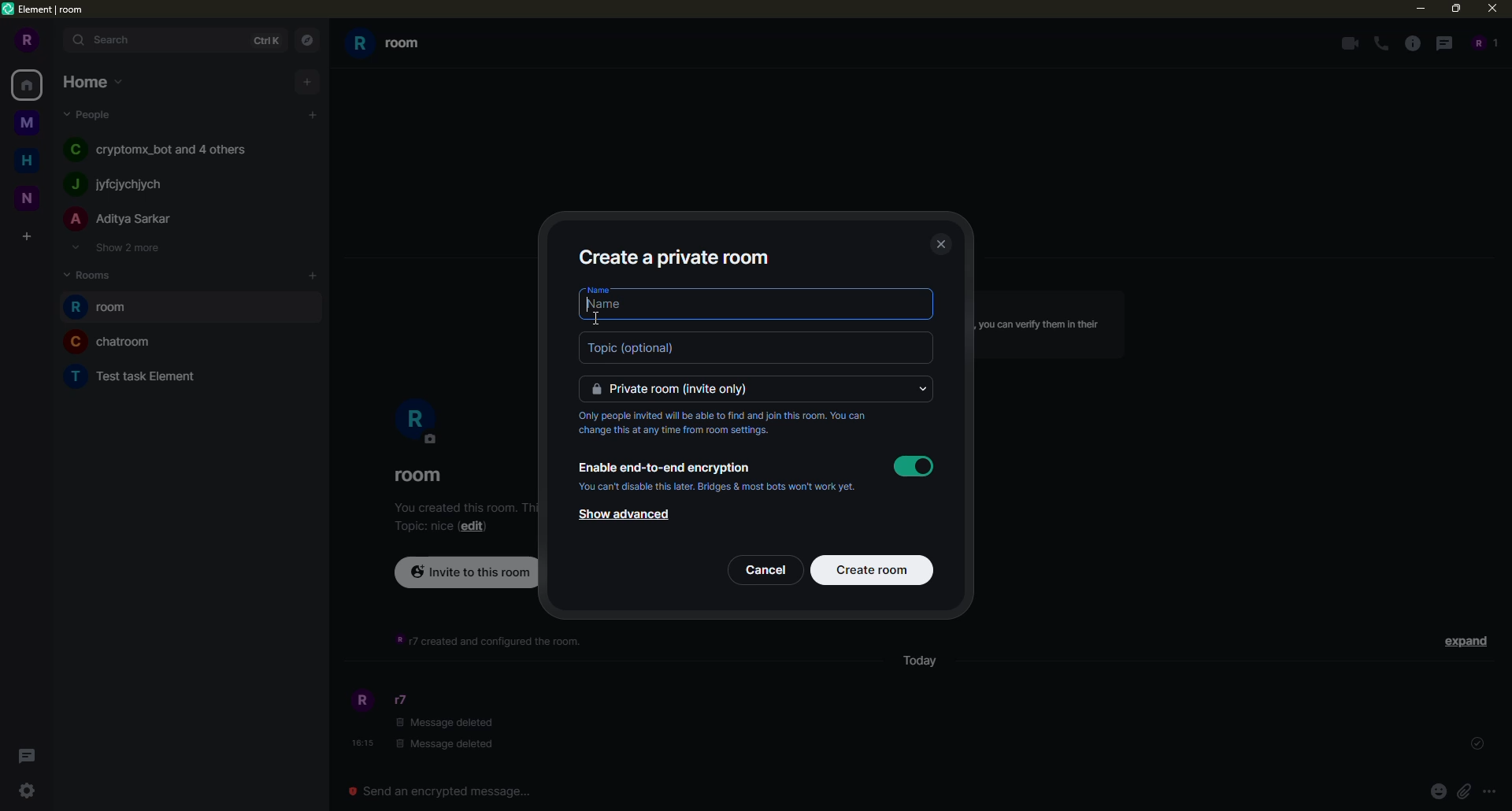 This screenshot has height=811, width=1512. What do you see at coordinates (473, 525) in the screenshot?
I see `edit` at bounding box center [473, 525].